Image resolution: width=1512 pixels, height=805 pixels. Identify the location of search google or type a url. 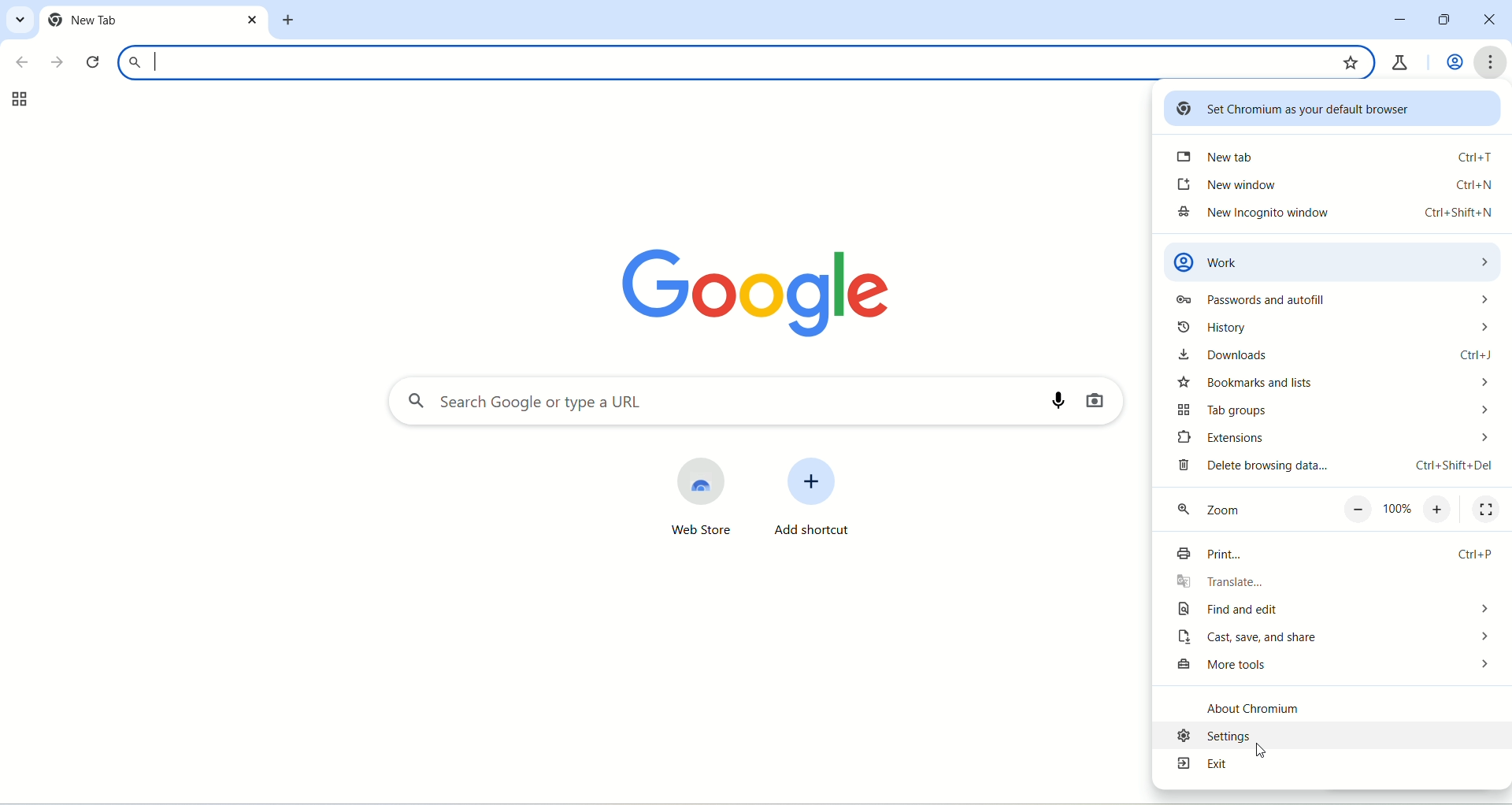
(699, 402).